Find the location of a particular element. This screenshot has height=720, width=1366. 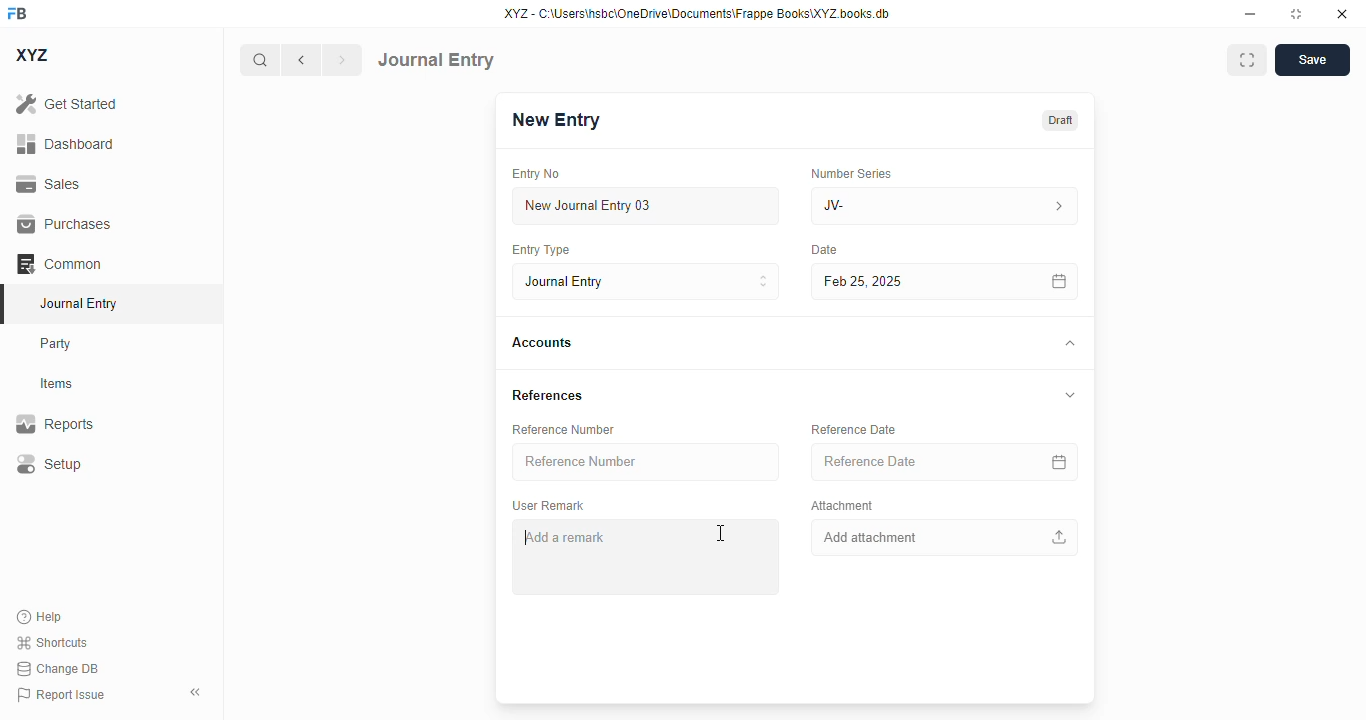

accounts is located at coordinates (542, 343).